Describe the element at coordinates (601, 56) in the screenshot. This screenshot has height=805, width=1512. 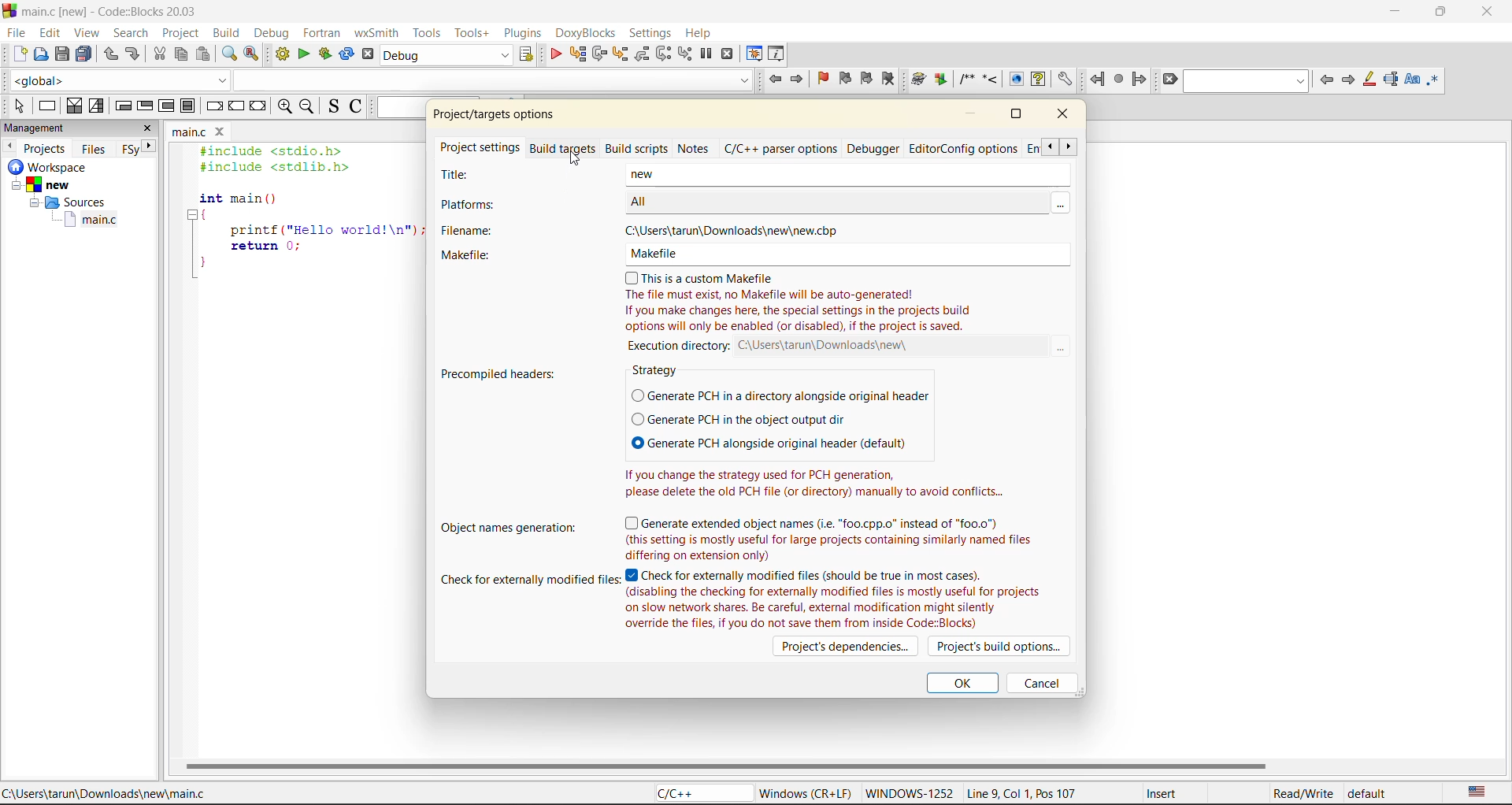
I see `next line` at that location.